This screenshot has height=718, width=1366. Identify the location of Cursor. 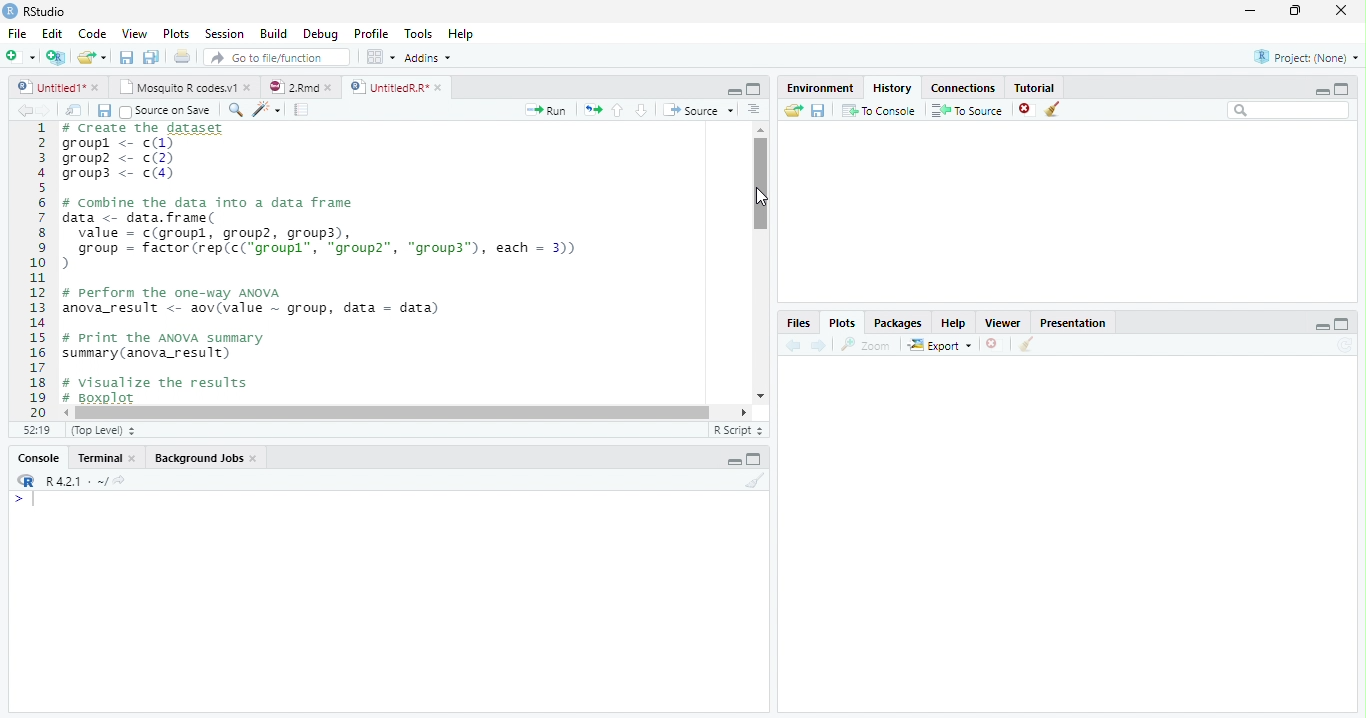
(38, 501).